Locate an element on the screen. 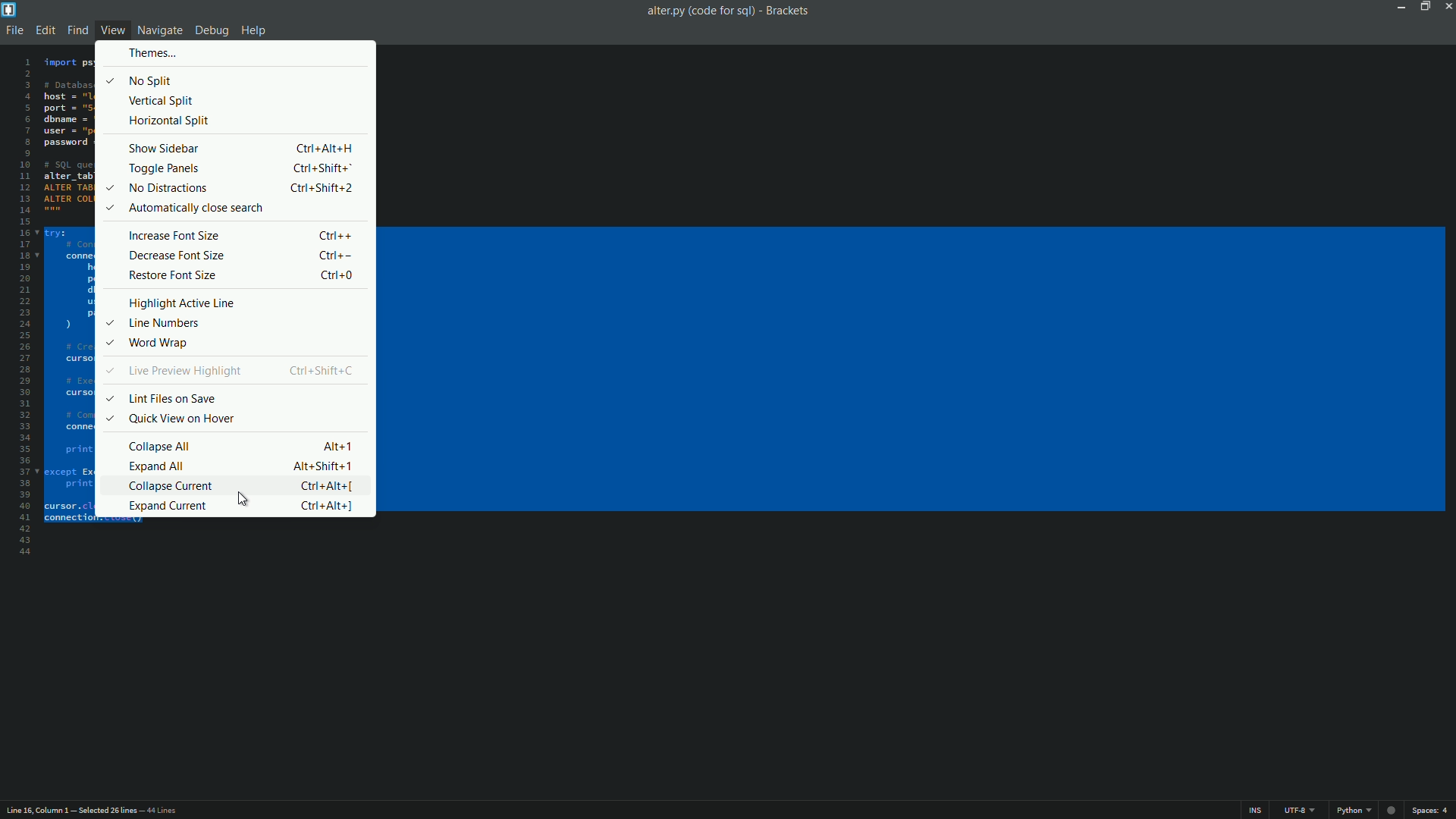 The height and width of the screenshot is (819, 1456). file menu is located at coordinates (13, 30).